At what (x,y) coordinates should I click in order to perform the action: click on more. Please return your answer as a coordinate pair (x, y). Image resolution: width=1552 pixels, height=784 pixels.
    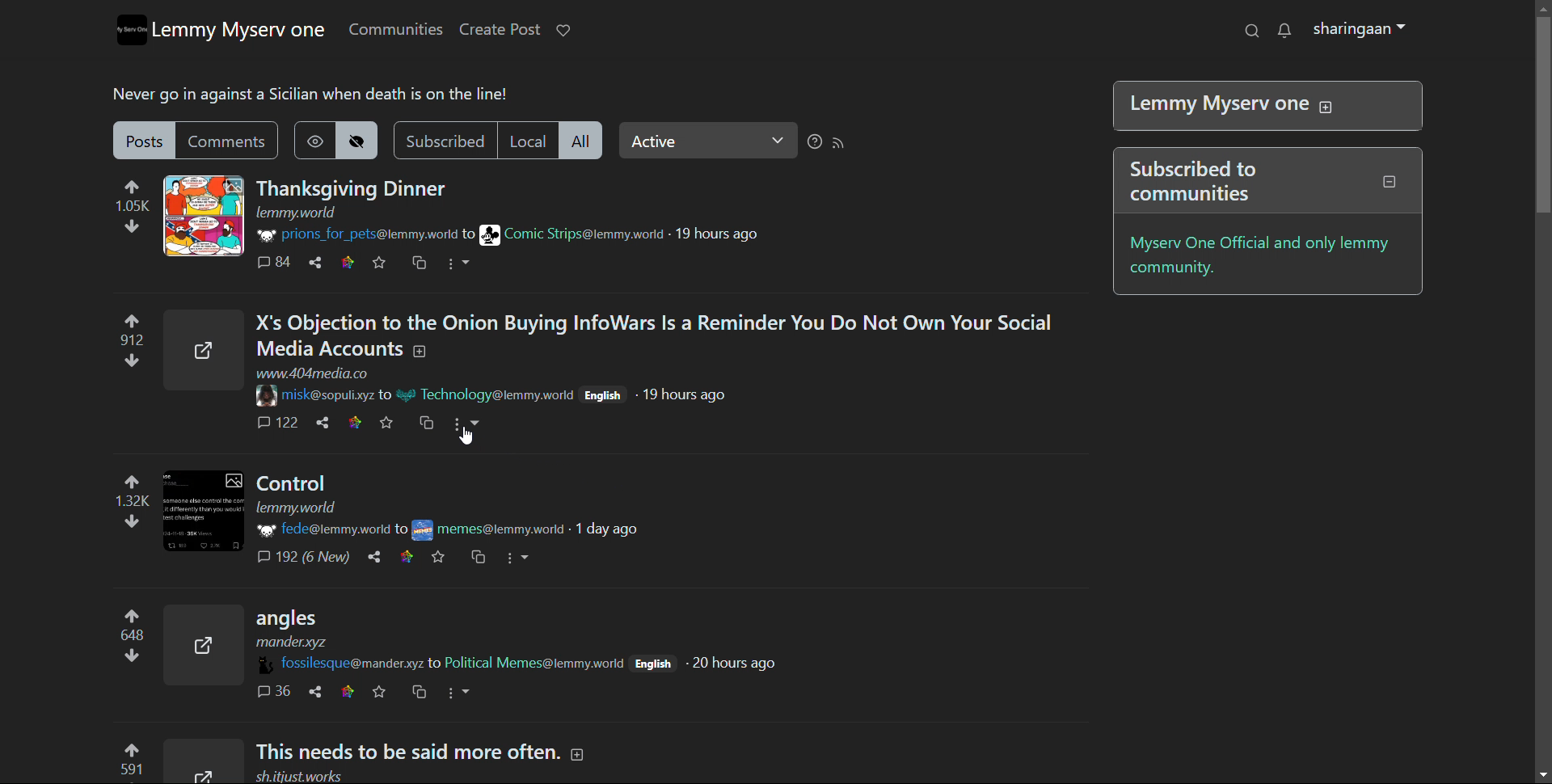
    Looking at the image, I should click on (459, 690).